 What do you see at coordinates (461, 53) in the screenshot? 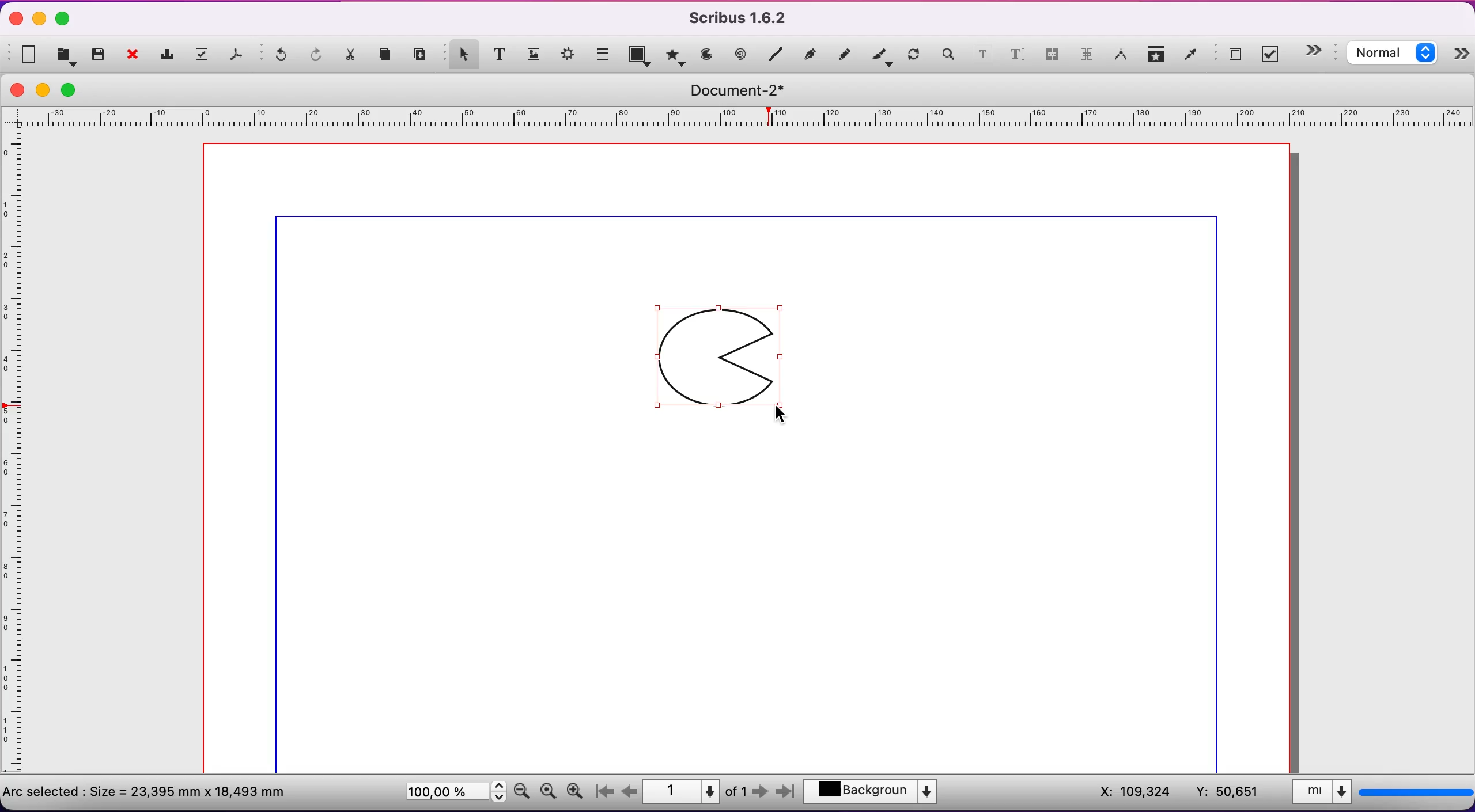
I see `select item` at bounding box center [461, 53].